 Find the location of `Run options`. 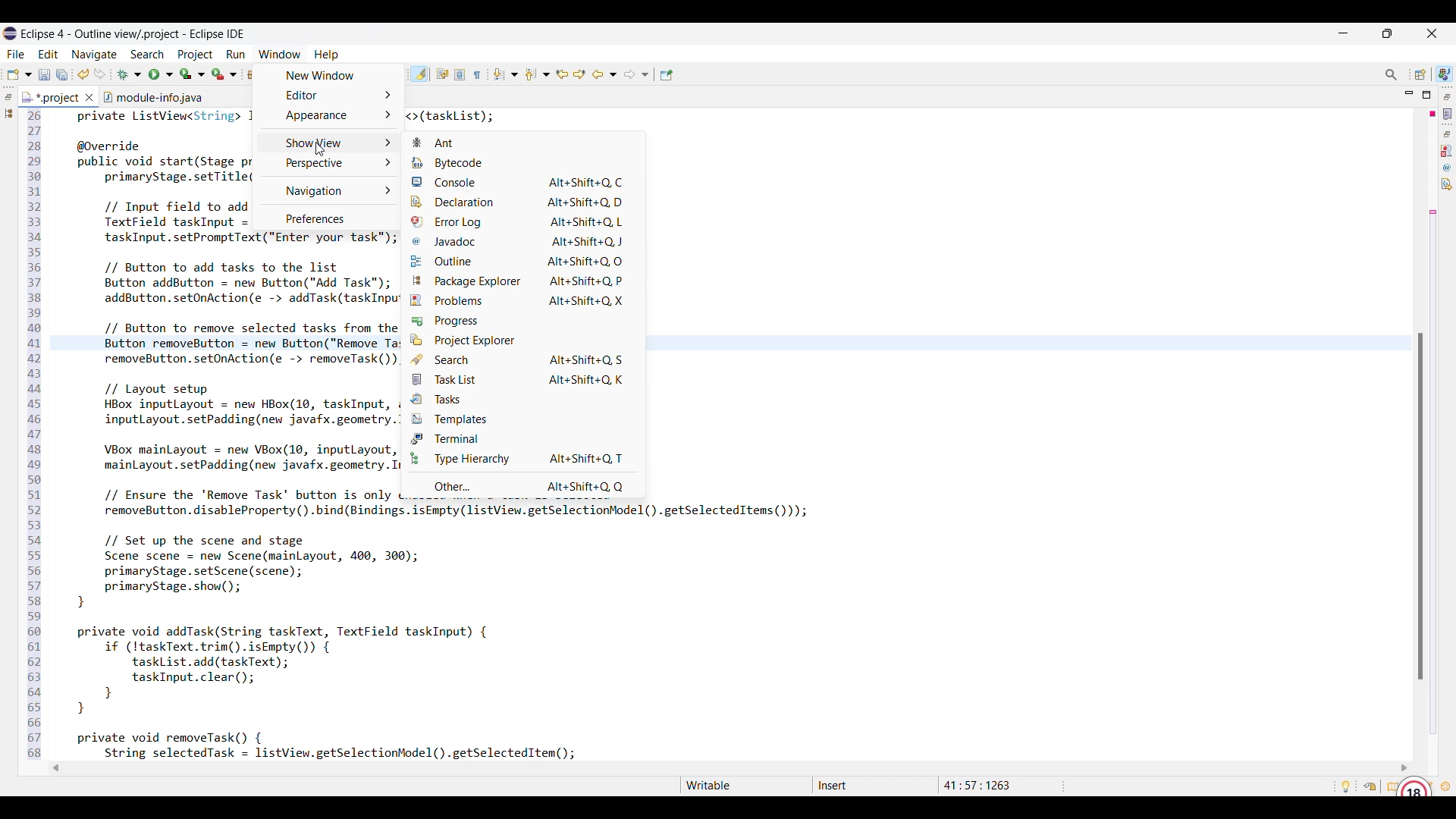

Run options is located at coordinates (162, 74).